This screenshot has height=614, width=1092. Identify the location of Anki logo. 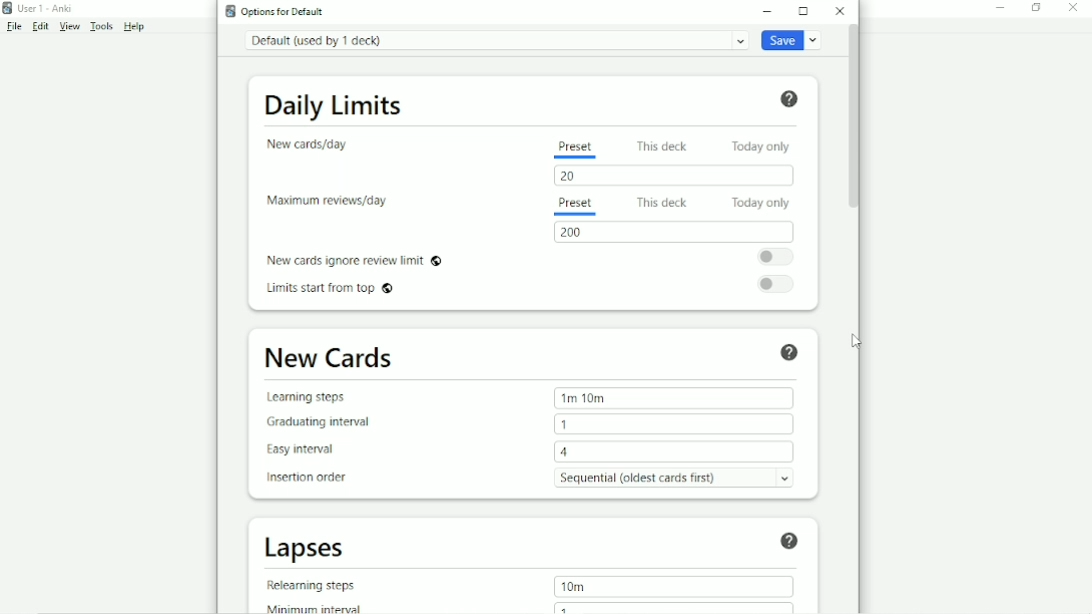
(230, 11).